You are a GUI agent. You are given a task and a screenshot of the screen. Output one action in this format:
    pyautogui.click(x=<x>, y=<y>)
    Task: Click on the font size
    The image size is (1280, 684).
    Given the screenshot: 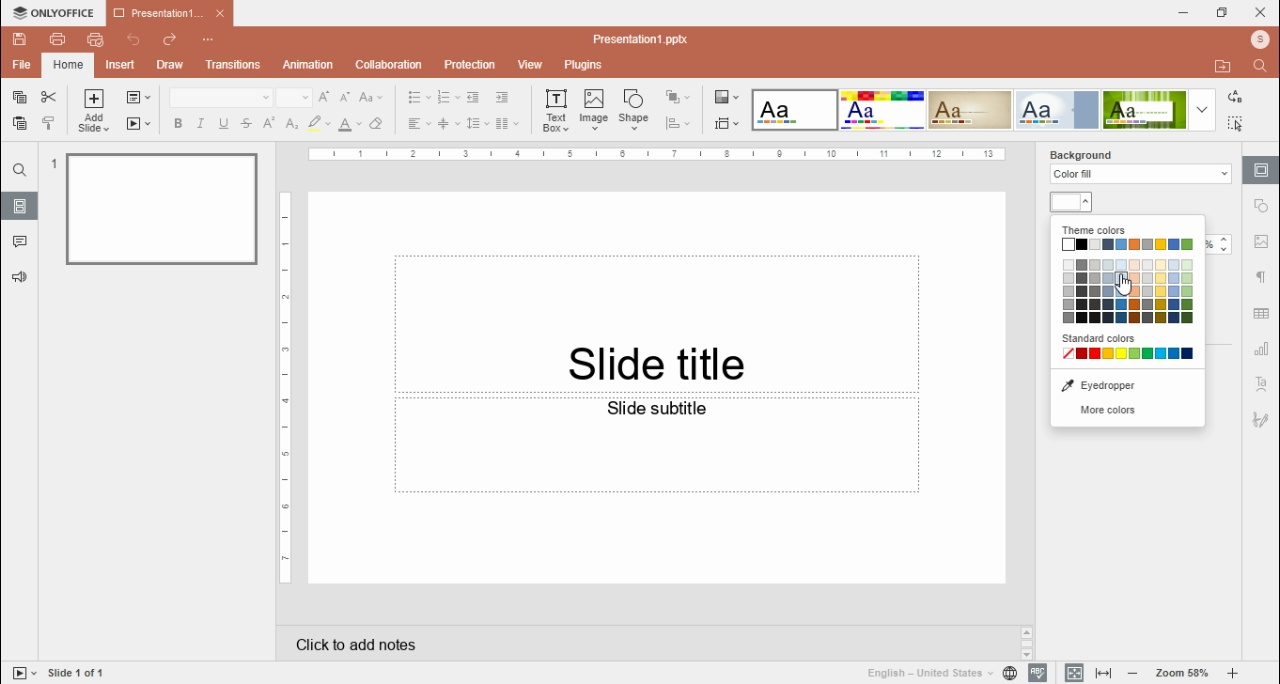 What is the action you would take?
    pyautogui.click(x=294, y=97)
    